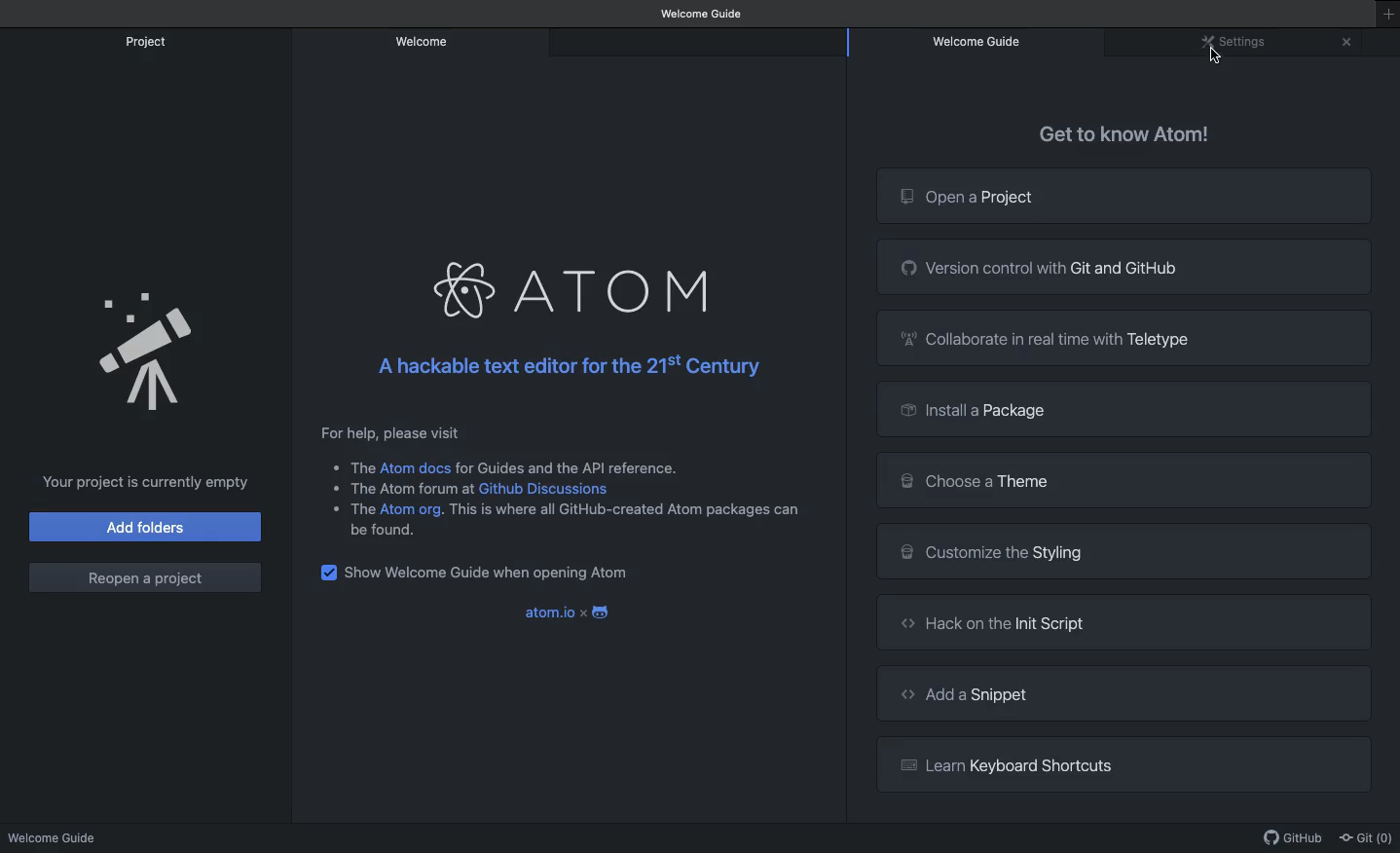 The image size is (1400, 853). What do you see at coordinates (149, 41) in the screenshot?
I see `Project` at bounding box center [149, 41].